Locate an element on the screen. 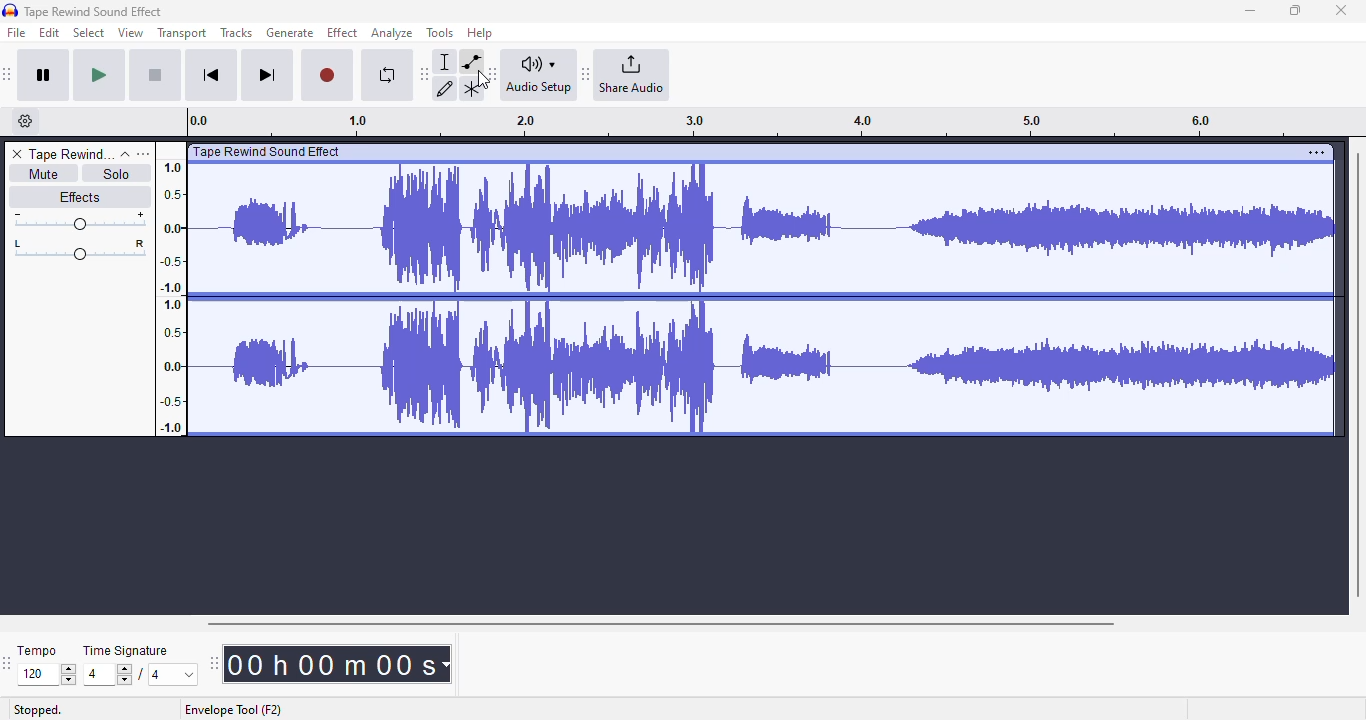  envelope tool (F2) is located at coordinates (233, 710).